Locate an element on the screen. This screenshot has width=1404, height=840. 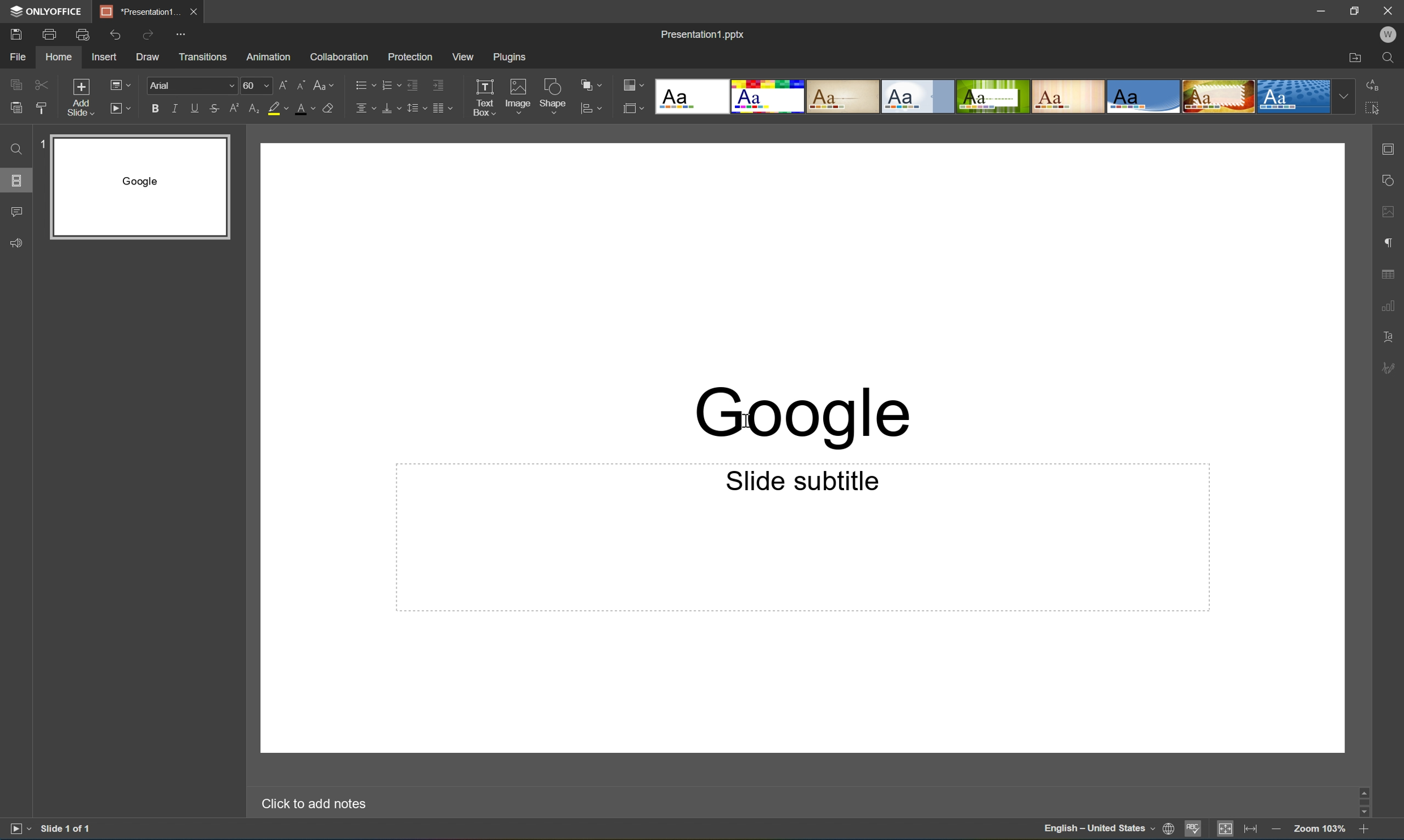
Lines is located at coordinates (1068, 97).